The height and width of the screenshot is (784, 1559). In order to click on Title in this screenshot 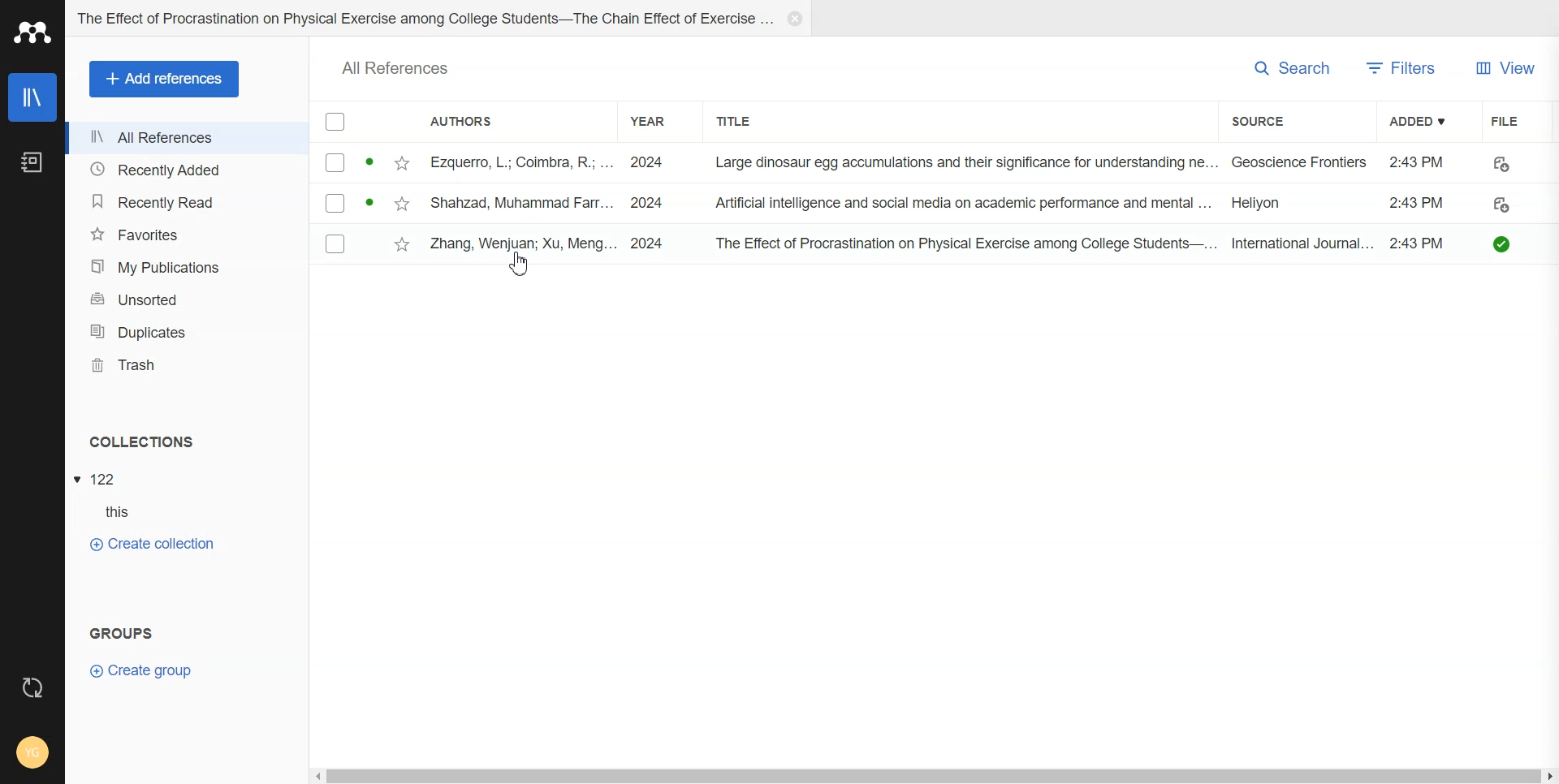, I will do `click(739, 122)`.